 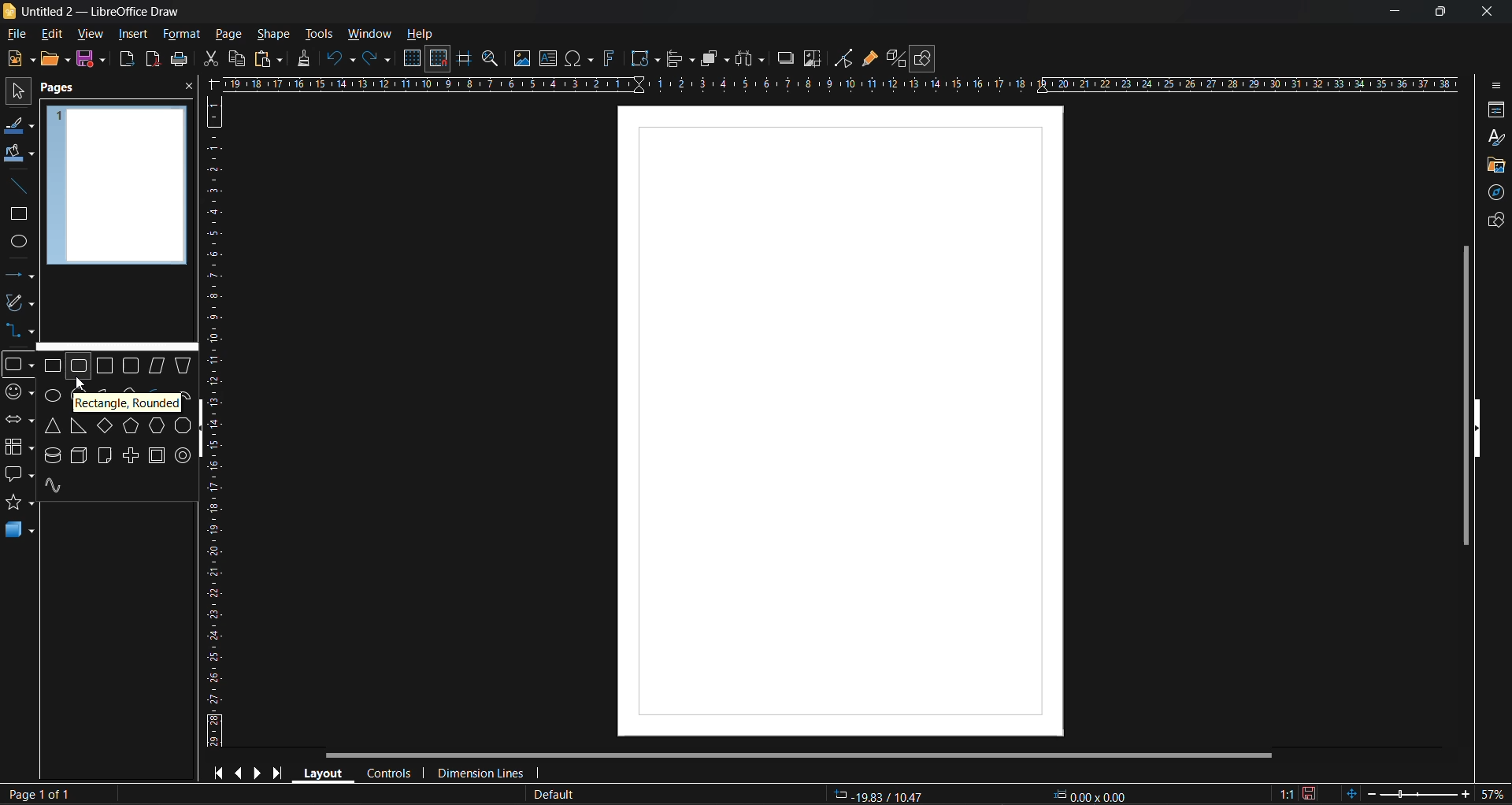 What do you see at coordinates (18, 421) in the screenshot?
I see `block arrows` at bounding box center [18, 421].